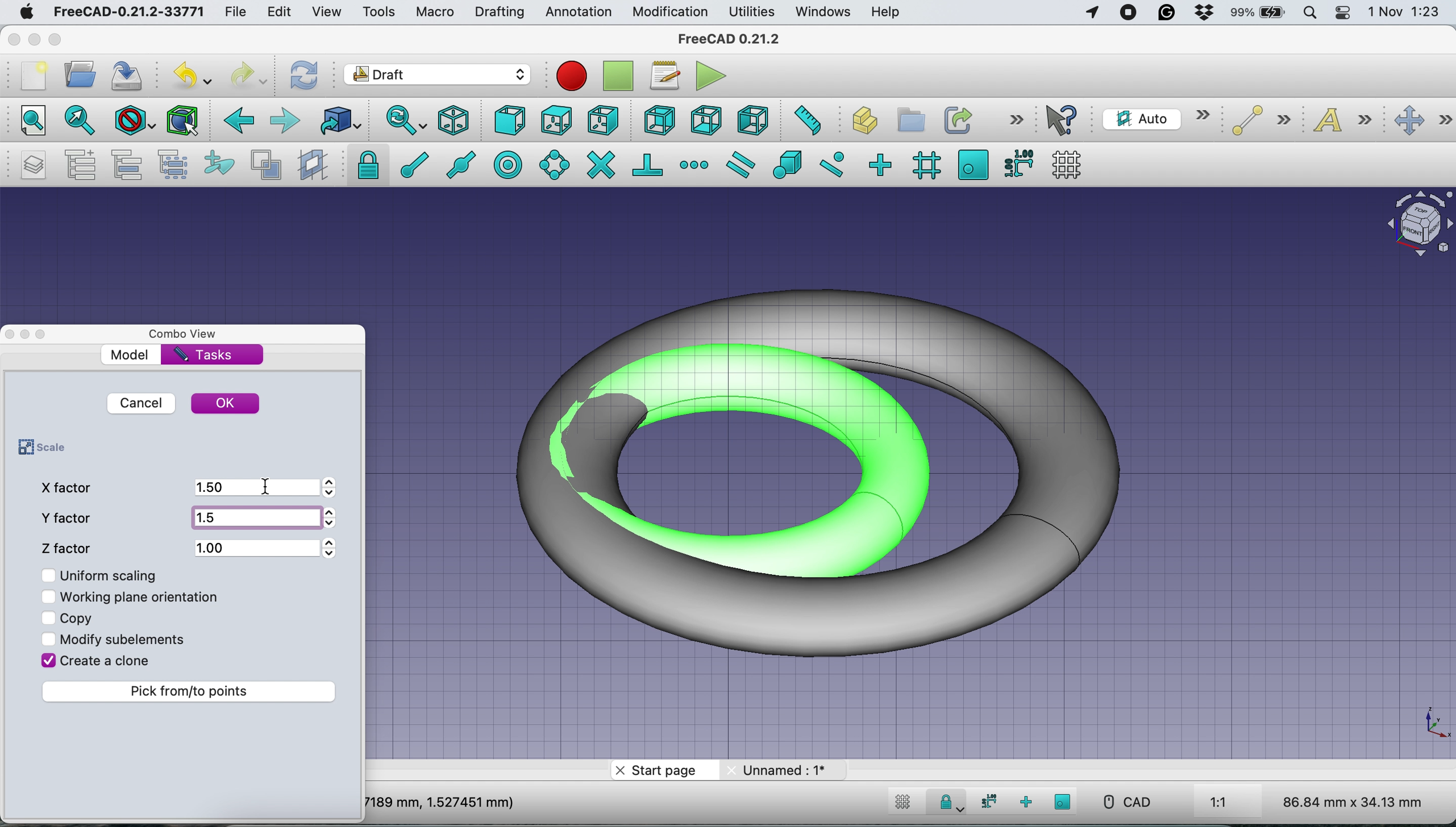 This screenshot has height=827, width=1456. Describe the element at coordinates (437, 76) in the screenshot. I see `Switch between workbenches` at that location.